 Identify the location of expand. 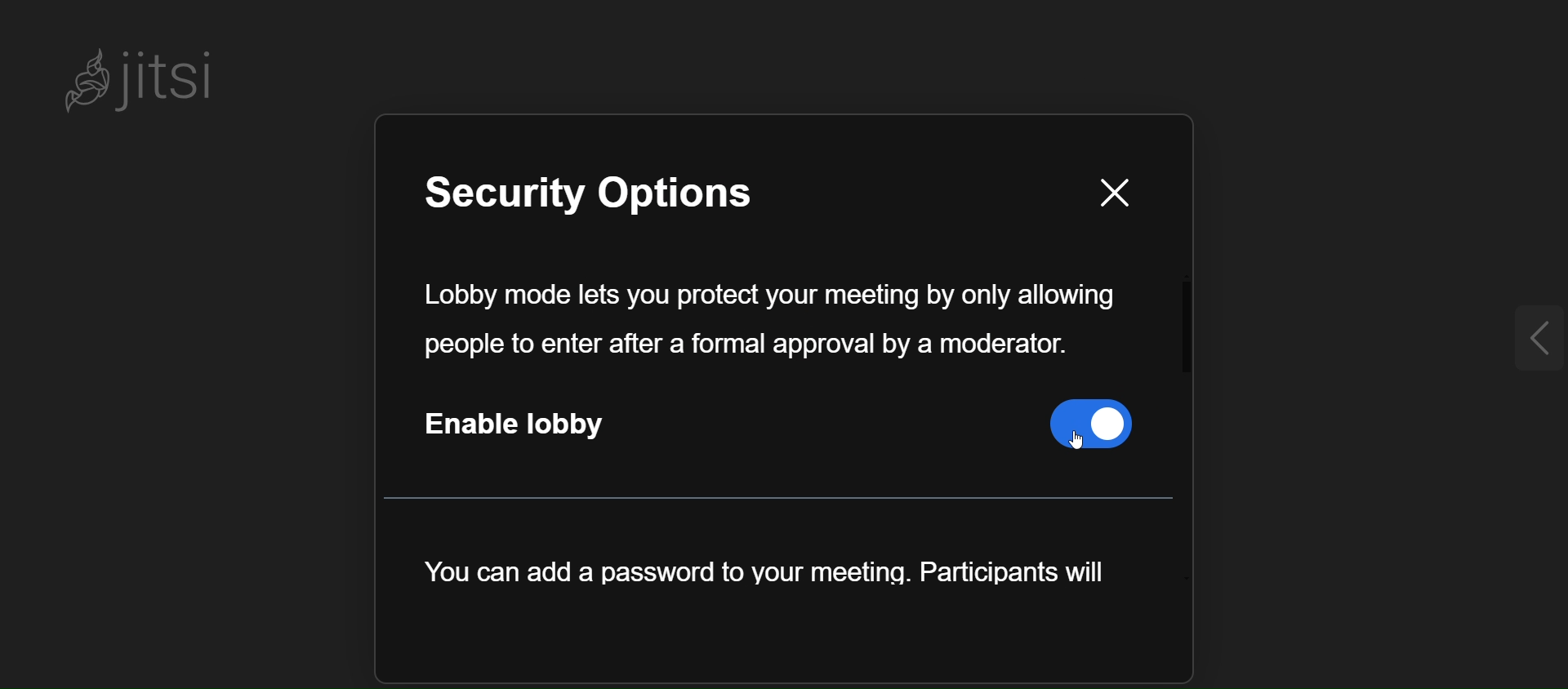
(1530, 340).